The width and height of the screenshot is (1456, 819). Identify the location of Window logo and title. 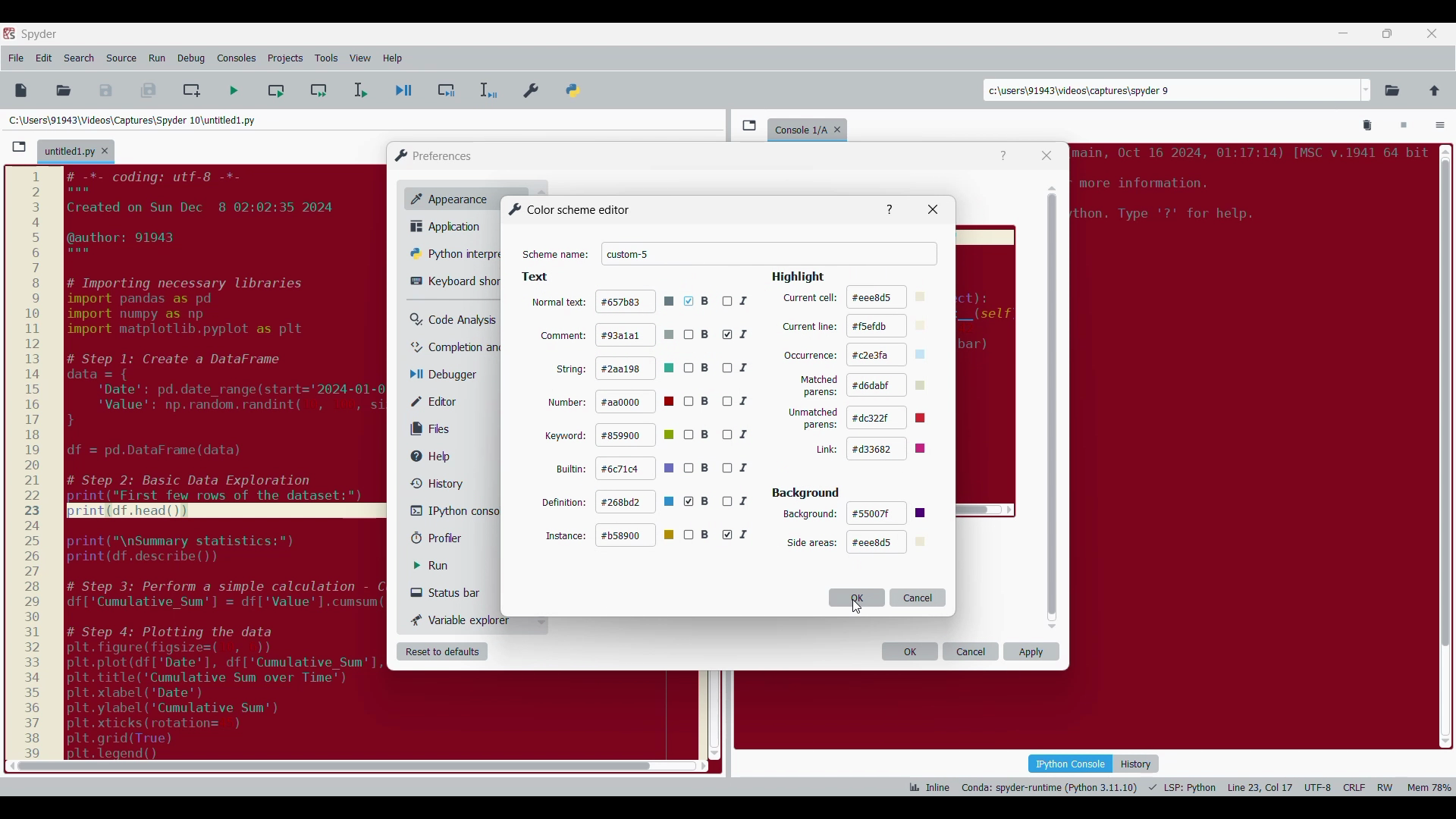
(434, 155).